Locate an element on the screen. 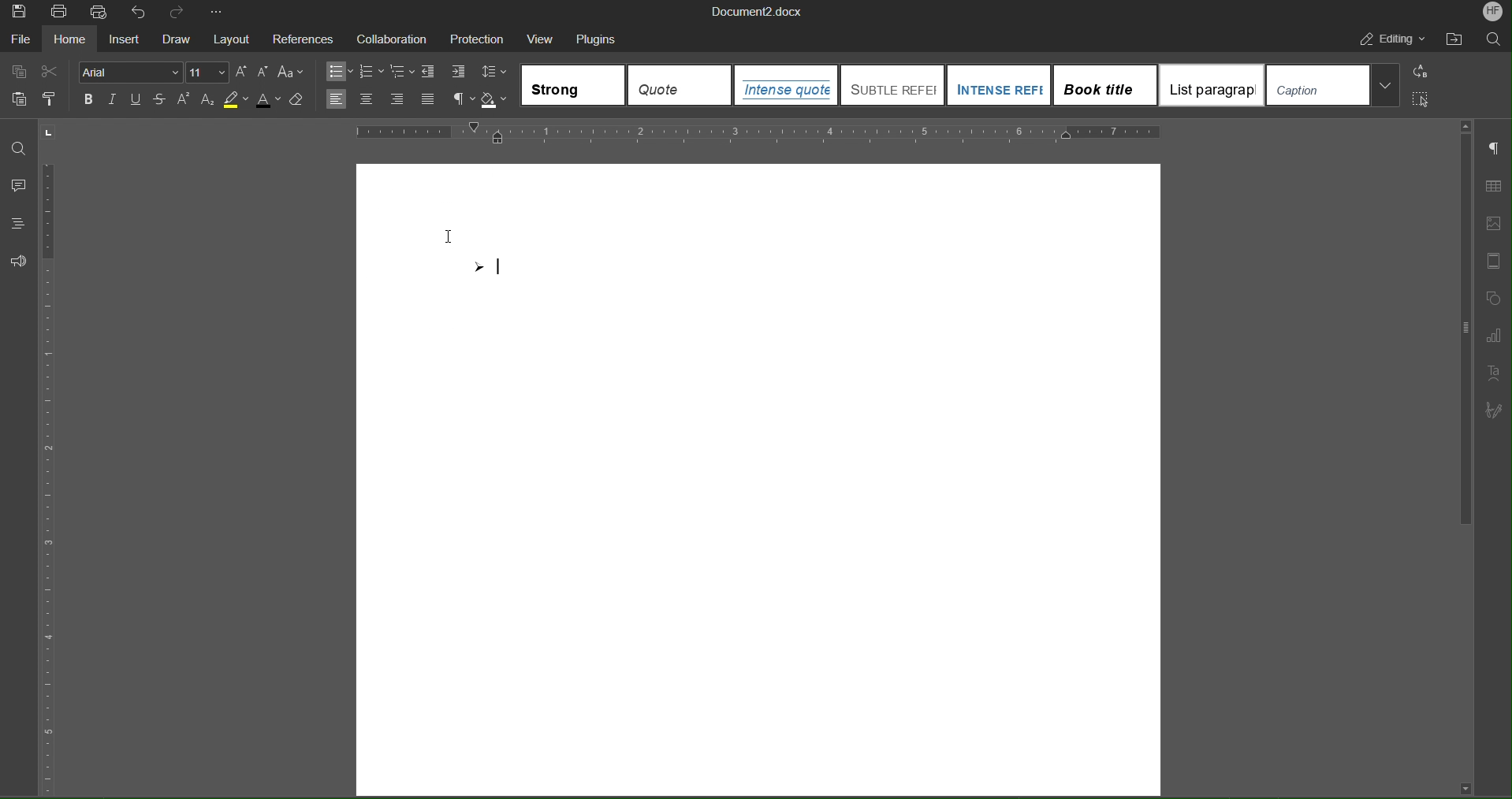 The height and width of the screenshot is (799, 1512). Copy Style is located at coordinates (58, 100).